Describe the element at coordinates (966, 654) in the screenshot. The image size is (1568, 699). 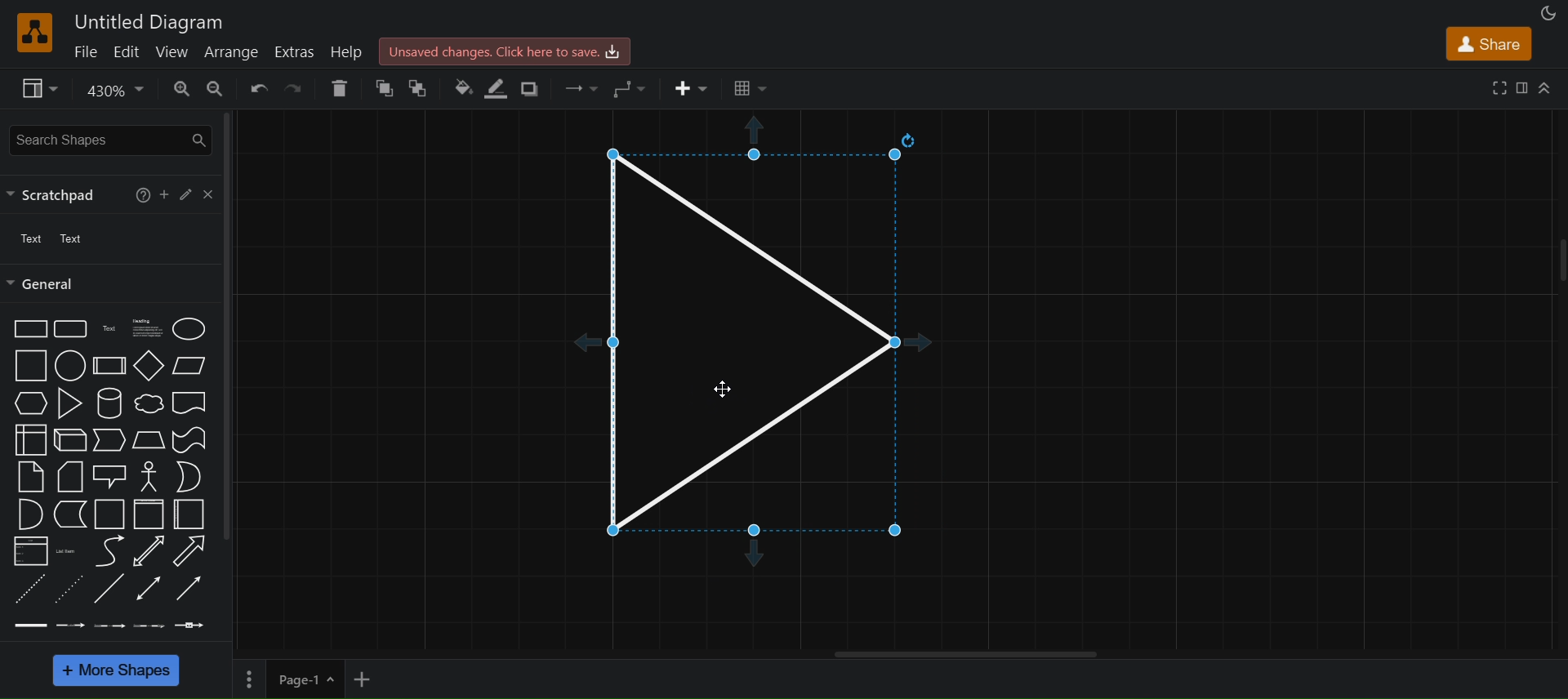
I see `Horizontal scroll bar` at that location.